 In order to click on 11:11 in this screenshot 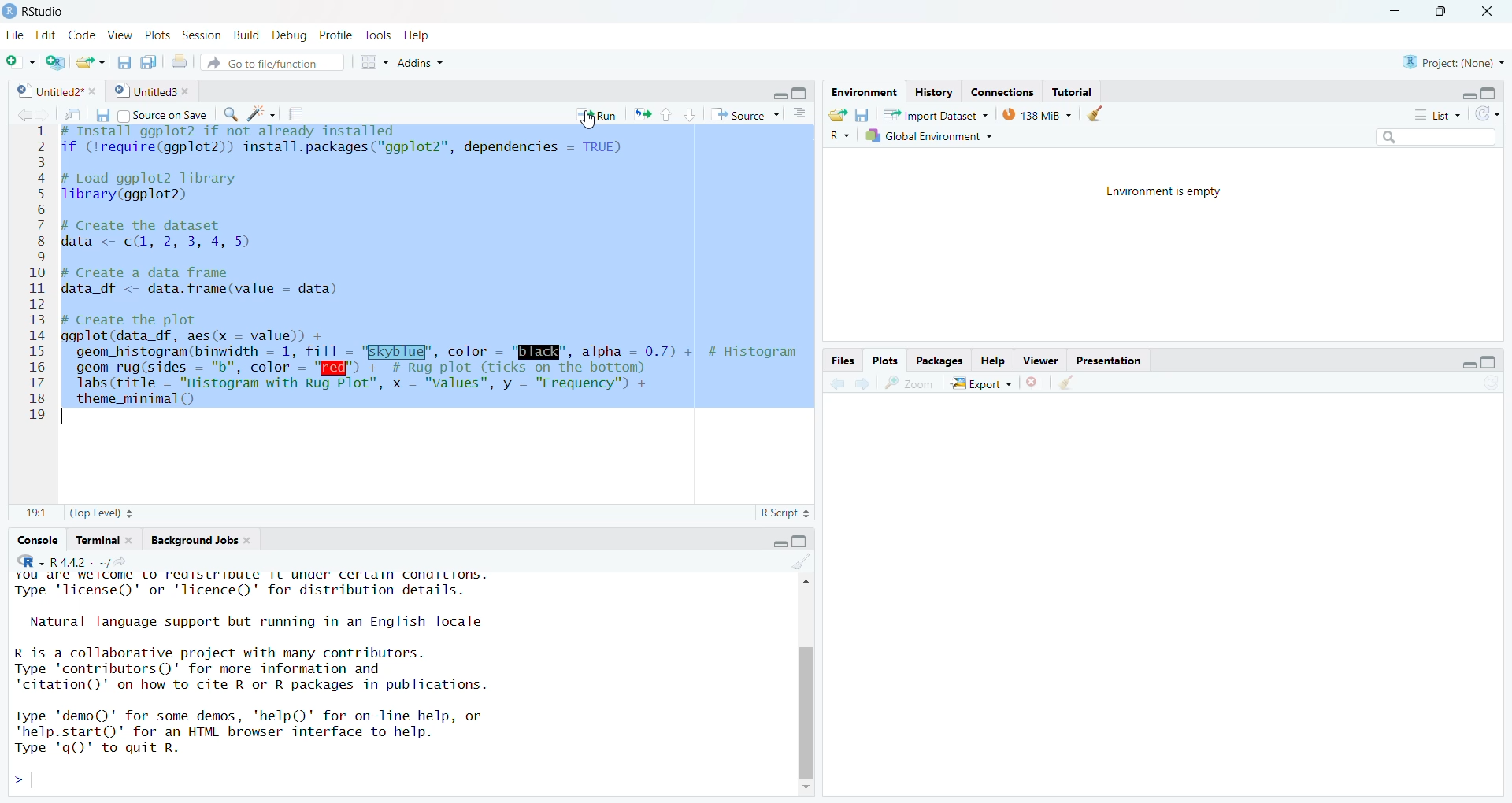, I will do `click(27, 510)`.